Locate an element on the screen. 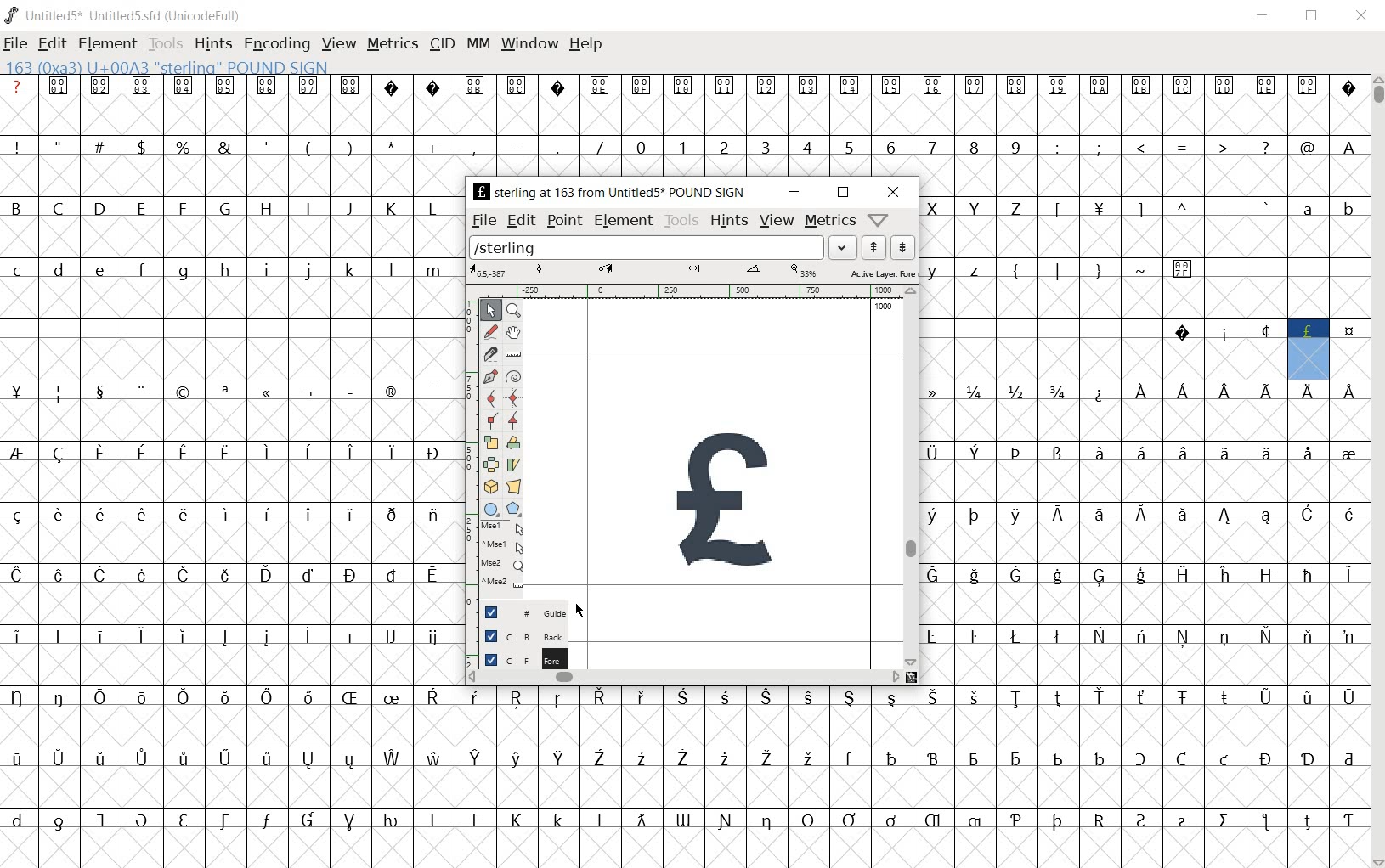  , is located at coordinates (474, 149).